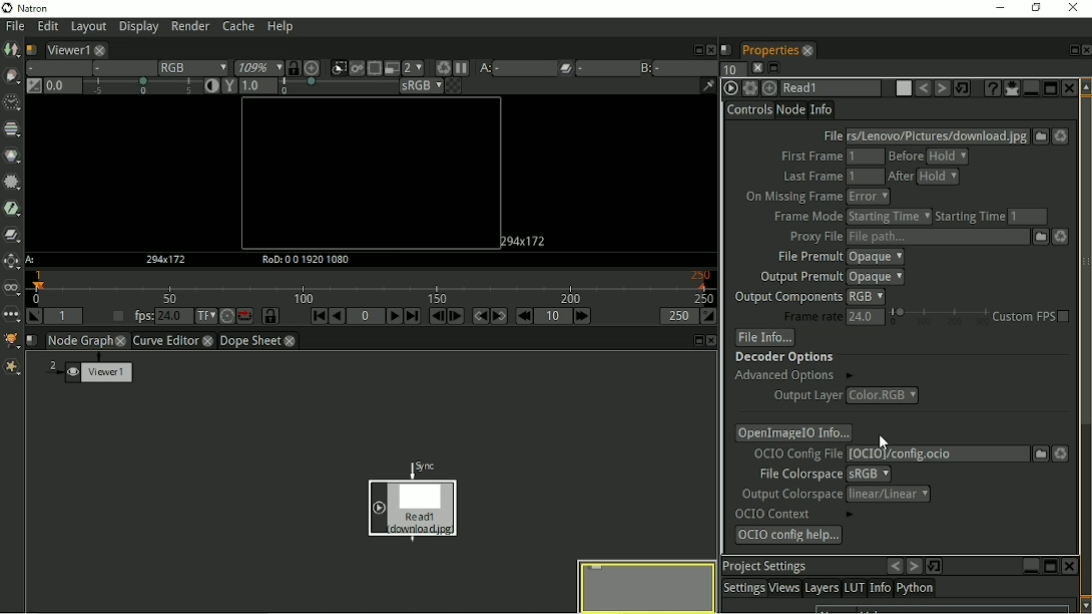 This screenshot has width=1092, height=614. Describe the element at coordinates (823, 109) in the screenshot. I see `Info` at that location.